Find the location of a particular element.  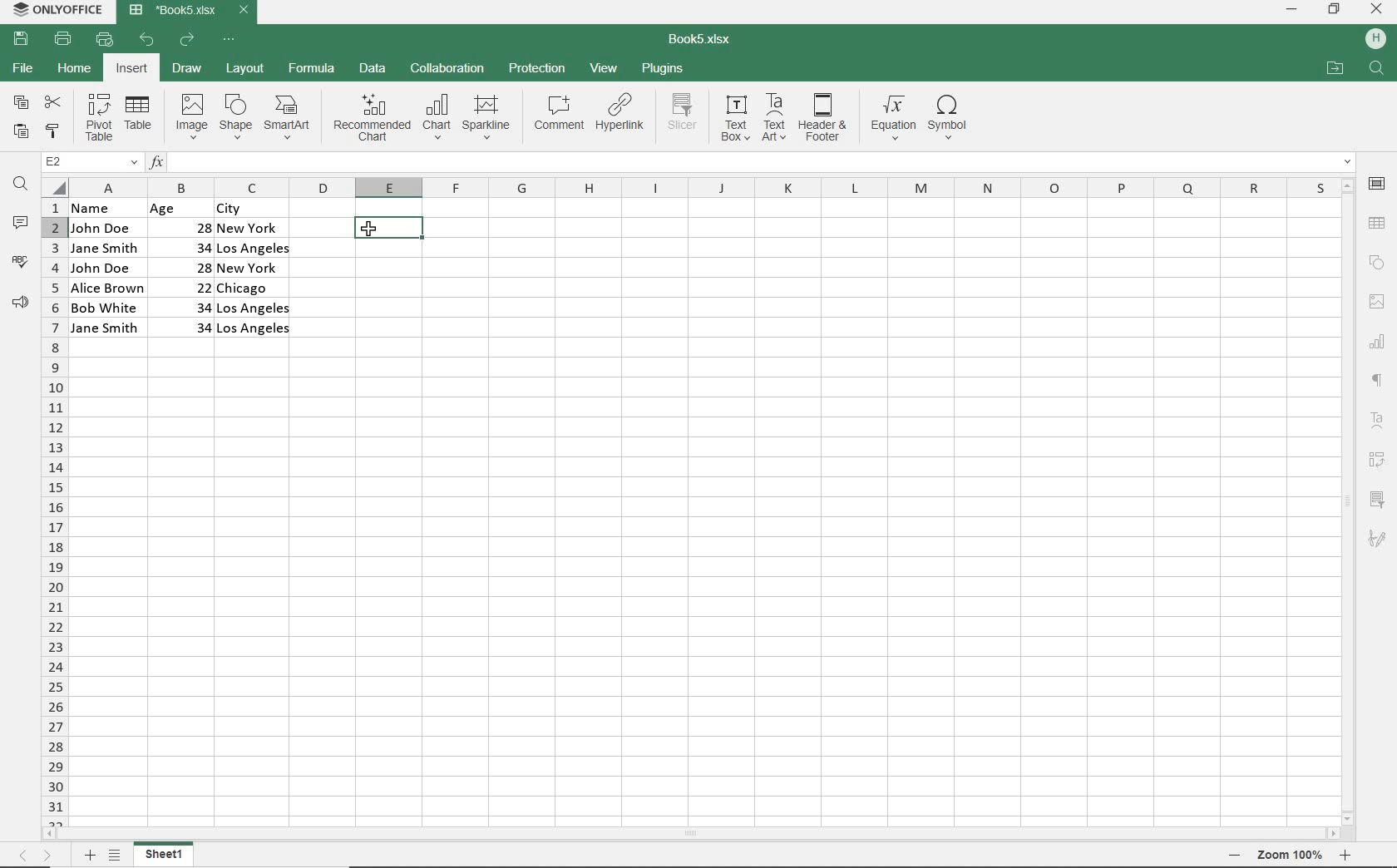

28 is located at coordinates (194, 226).